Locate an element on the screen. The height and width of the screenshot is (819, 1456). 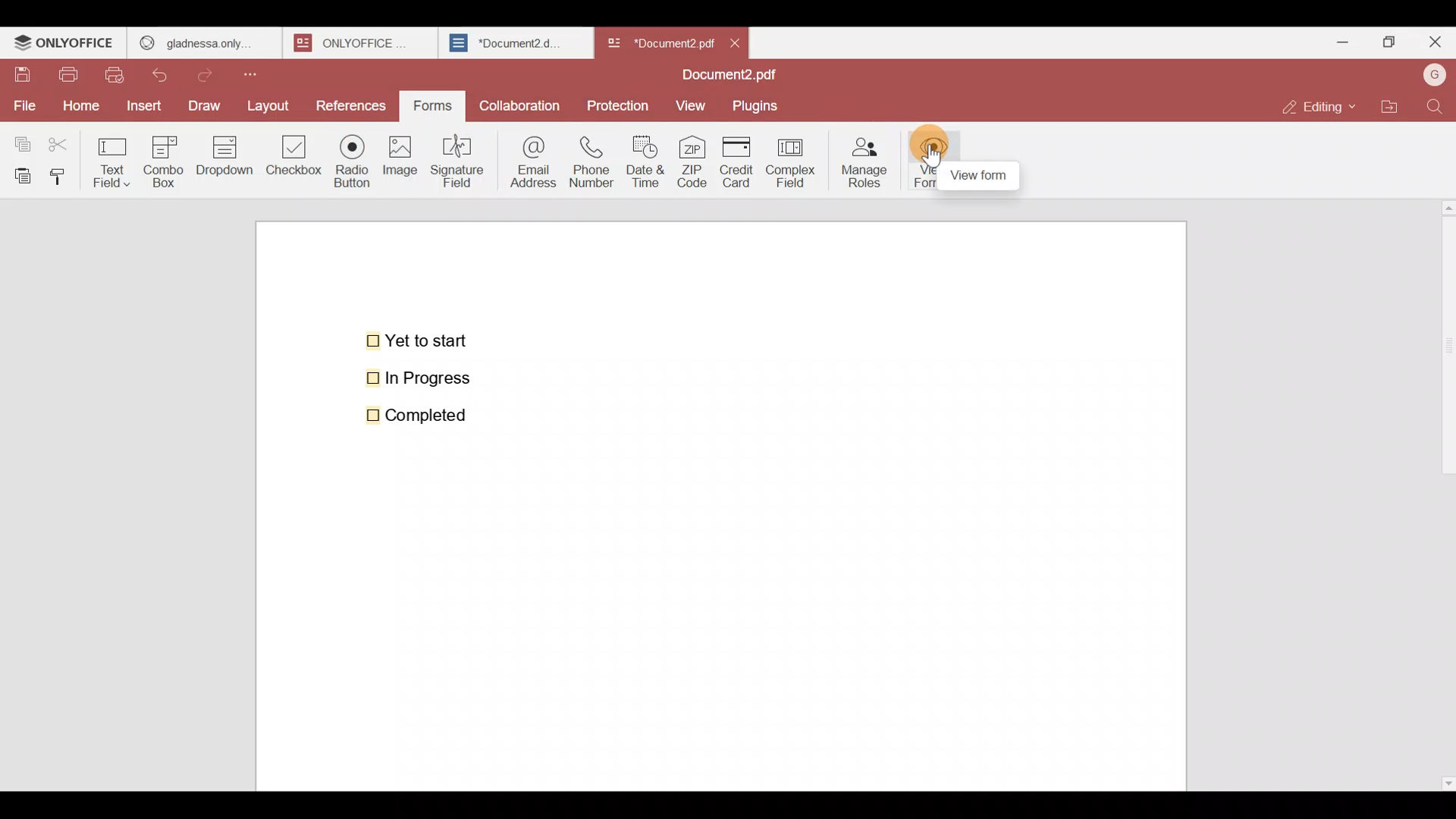
Radio is located at coordinates (347, 165).